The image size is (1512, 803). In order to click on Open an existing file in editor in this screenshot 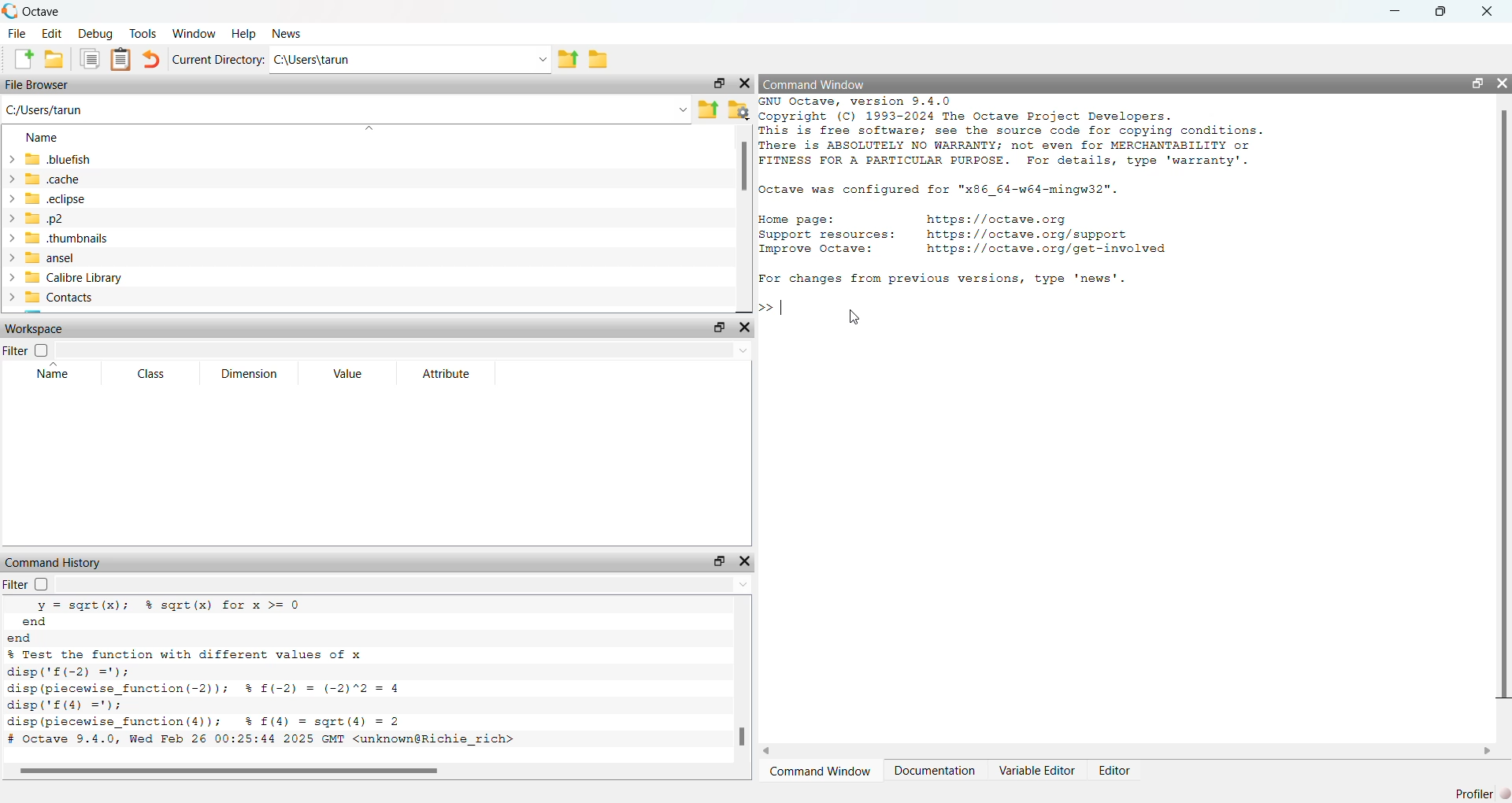, I will do `click(55, 58)`.